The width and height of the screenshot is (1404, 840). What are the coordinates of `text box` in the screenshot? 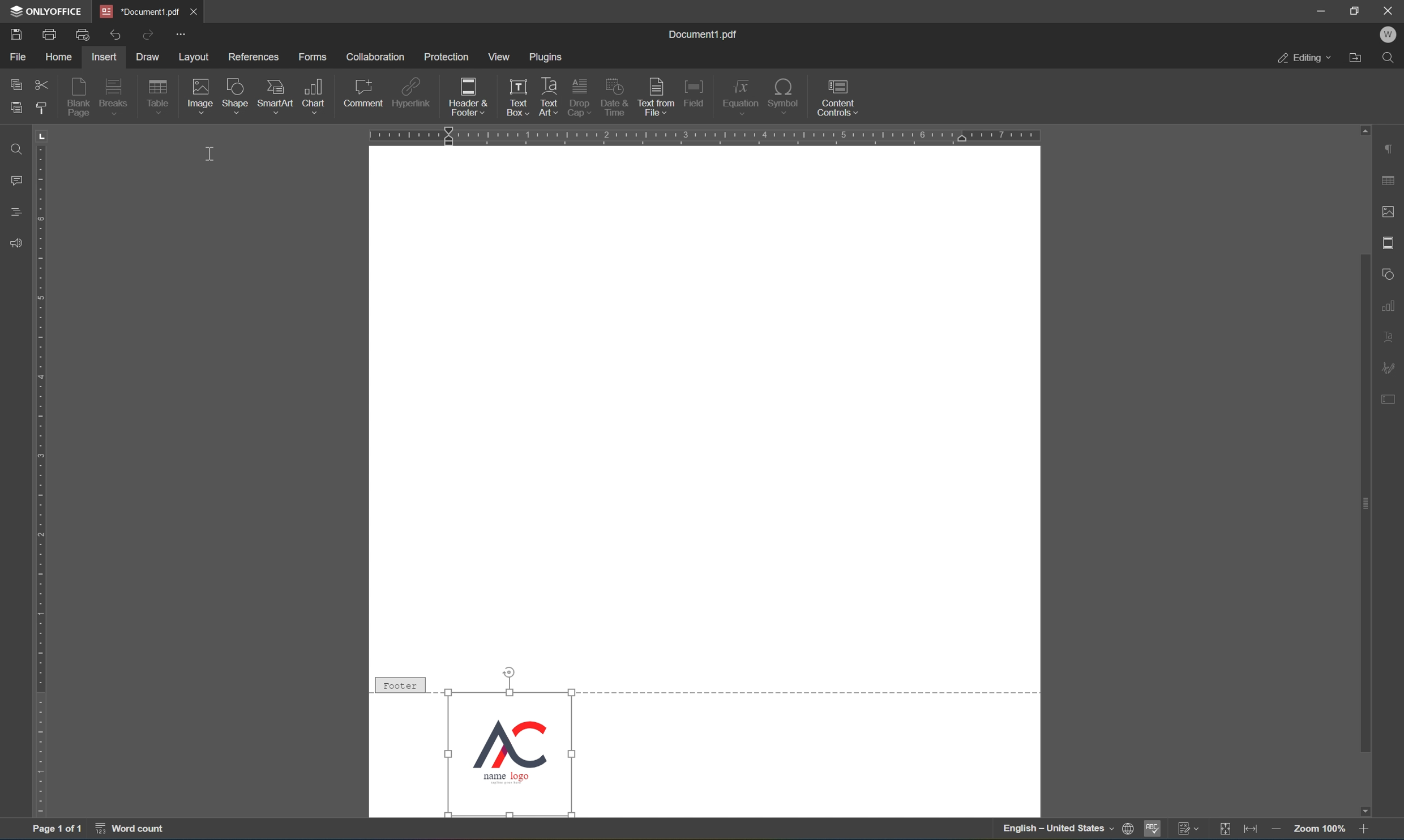 It's located at (515, 87).